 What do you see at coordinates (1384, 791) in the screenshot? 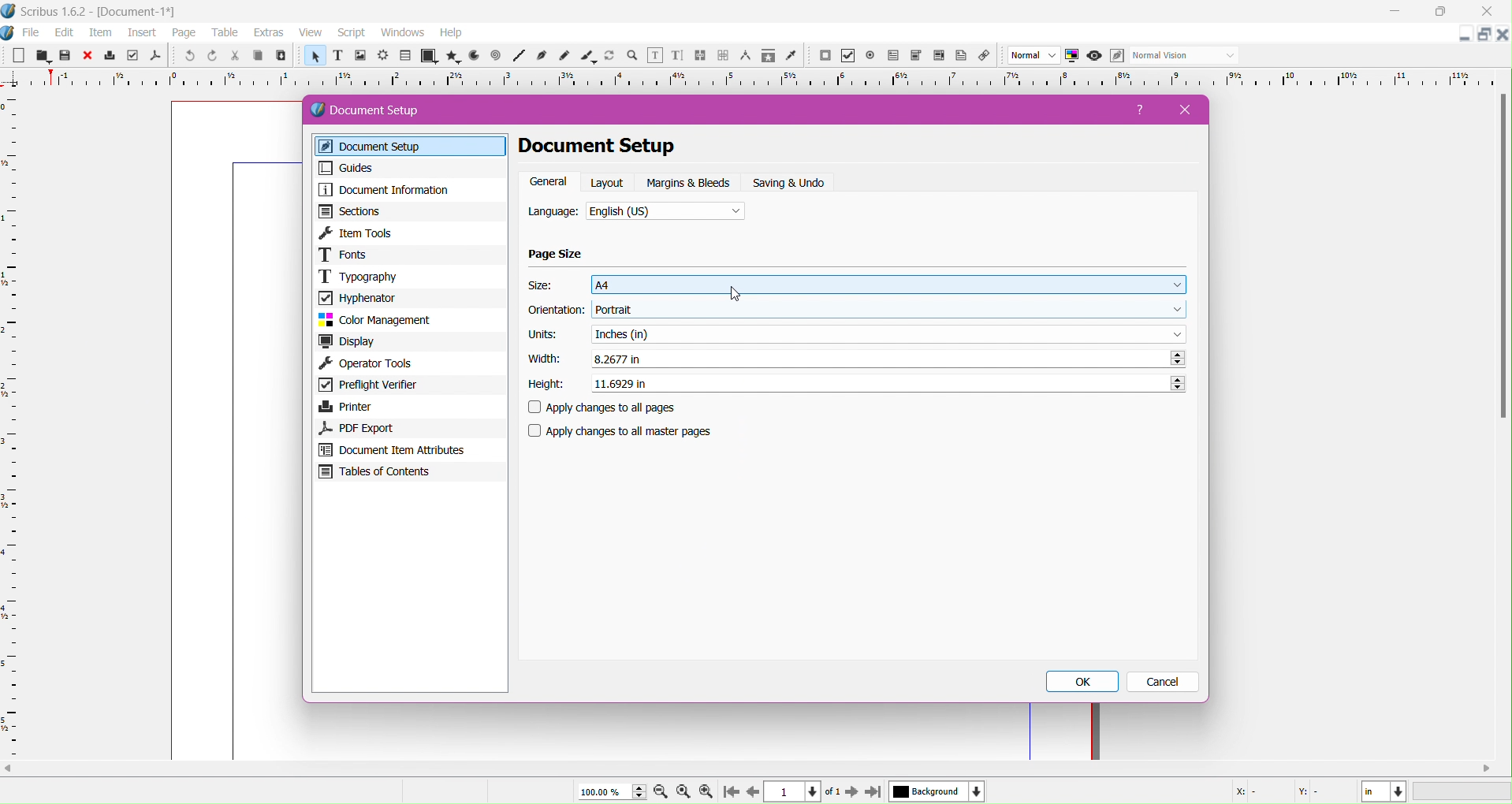
I see `measurement unit` at bounding box center [1384, 791].